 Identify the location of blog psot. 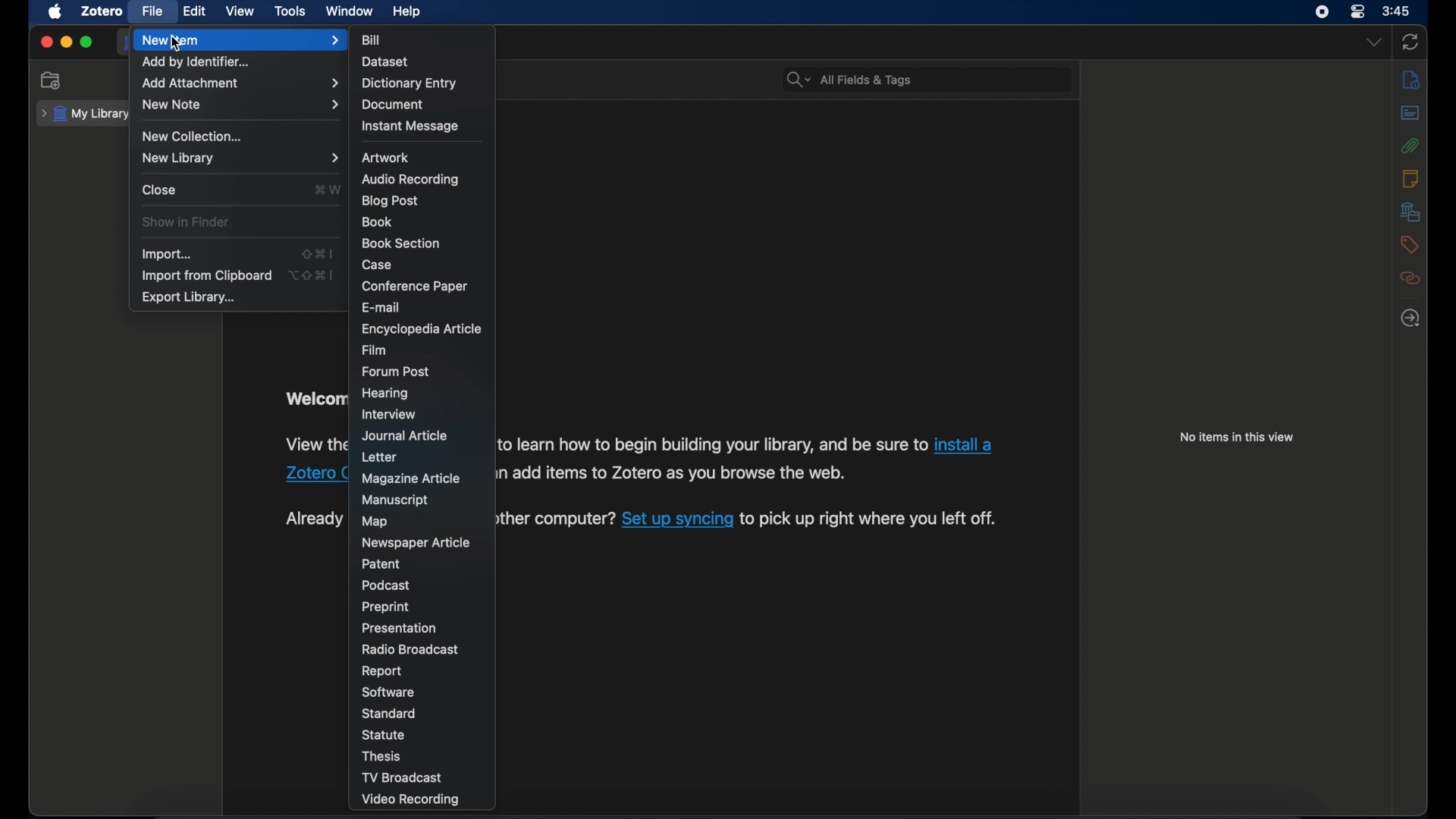
(388, 201).